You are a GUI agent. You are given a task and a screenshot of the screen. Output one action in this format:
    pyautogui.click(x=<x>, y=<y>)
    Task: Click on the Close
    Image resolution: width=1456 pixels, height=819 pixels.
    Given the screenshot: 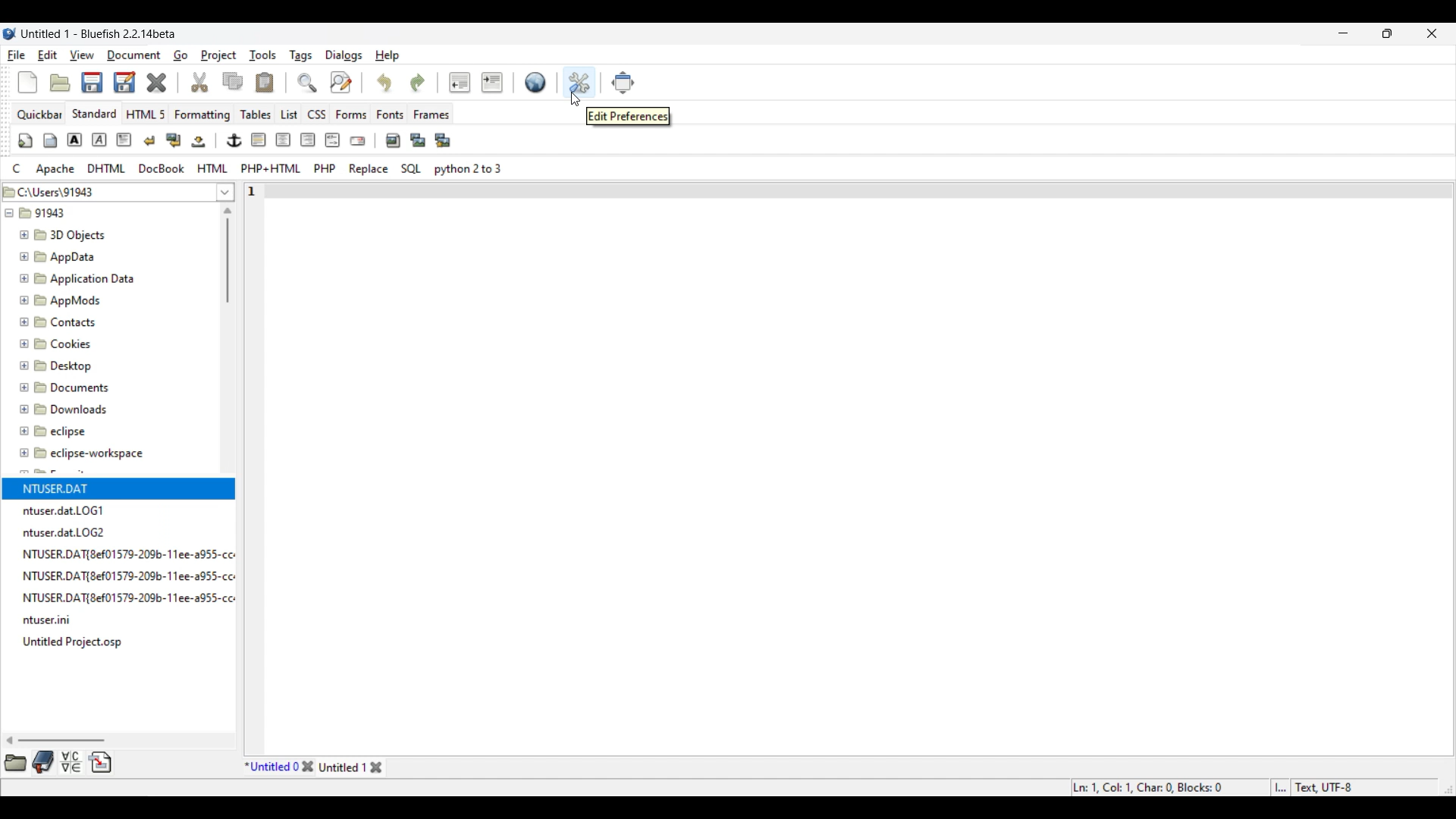 What is the action you would take?
    pyautogui.click(x=307, y=767)
    